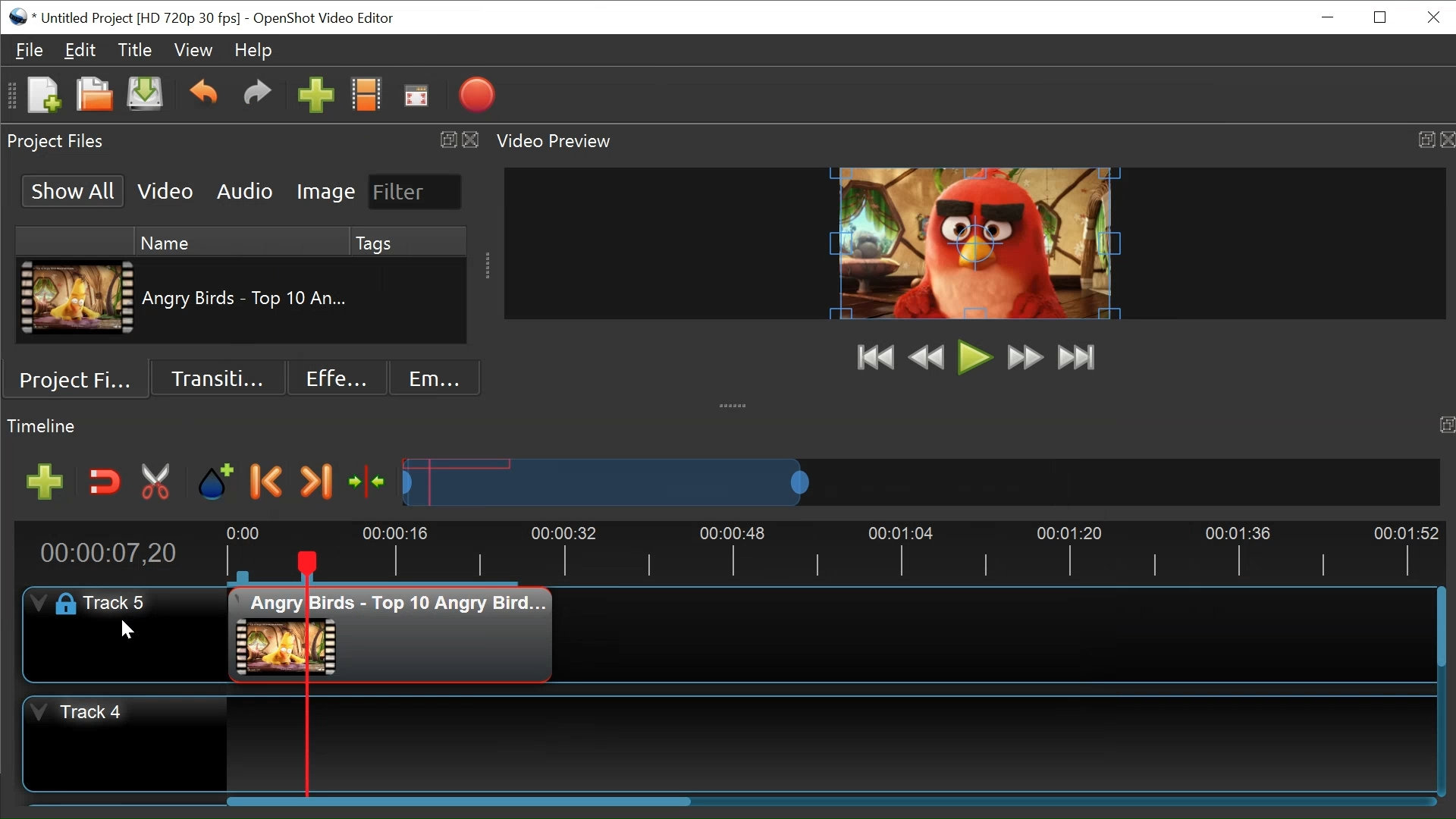 Image resolution: width=1456 pixels, height=819 pixels. What do you see at coordinates (477, 96) in the screenshot?
I see `Export Video` at bounding box center [477, 96].